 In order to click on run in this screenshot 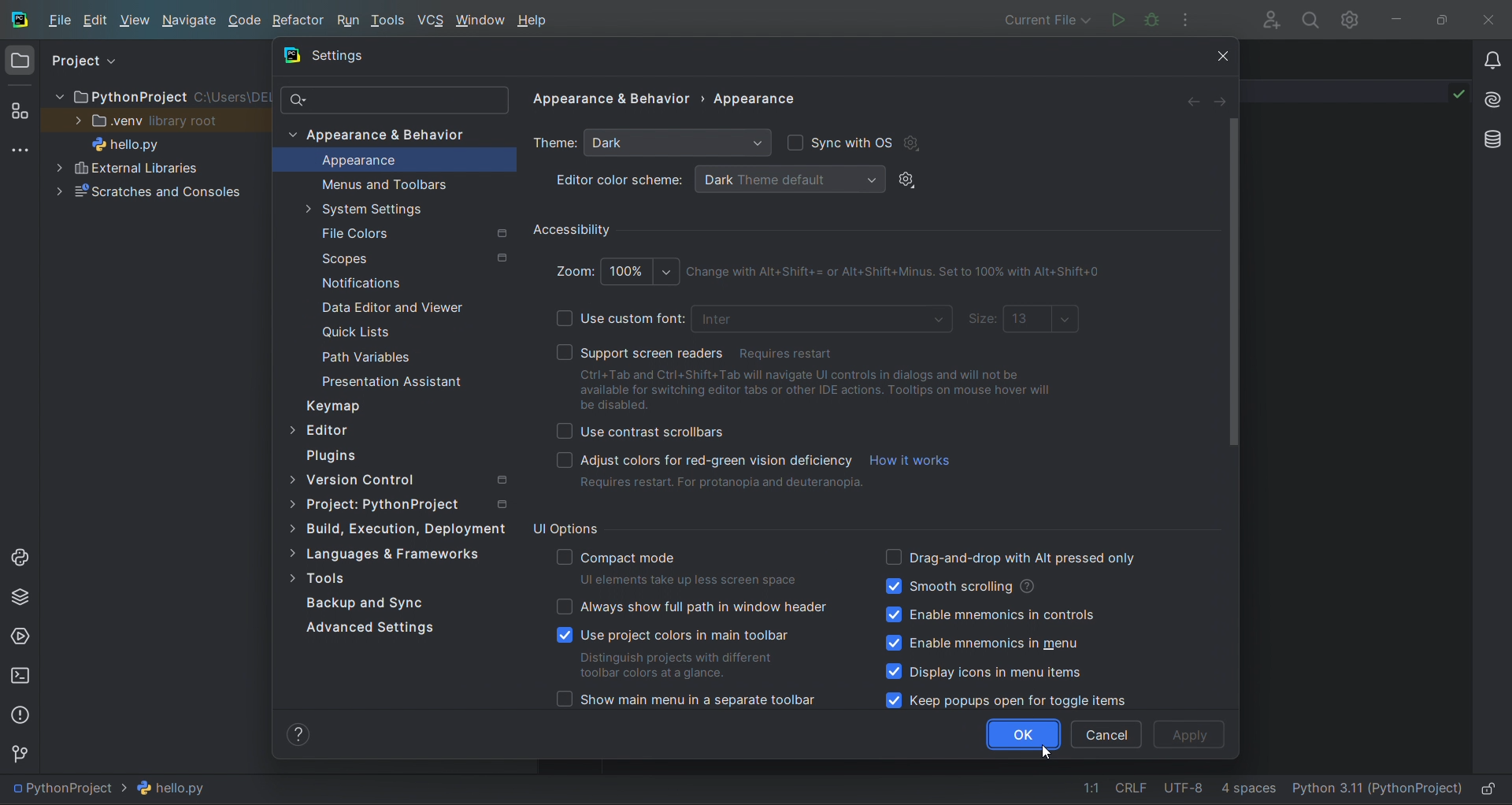, I will do `click(1114, 18)`.